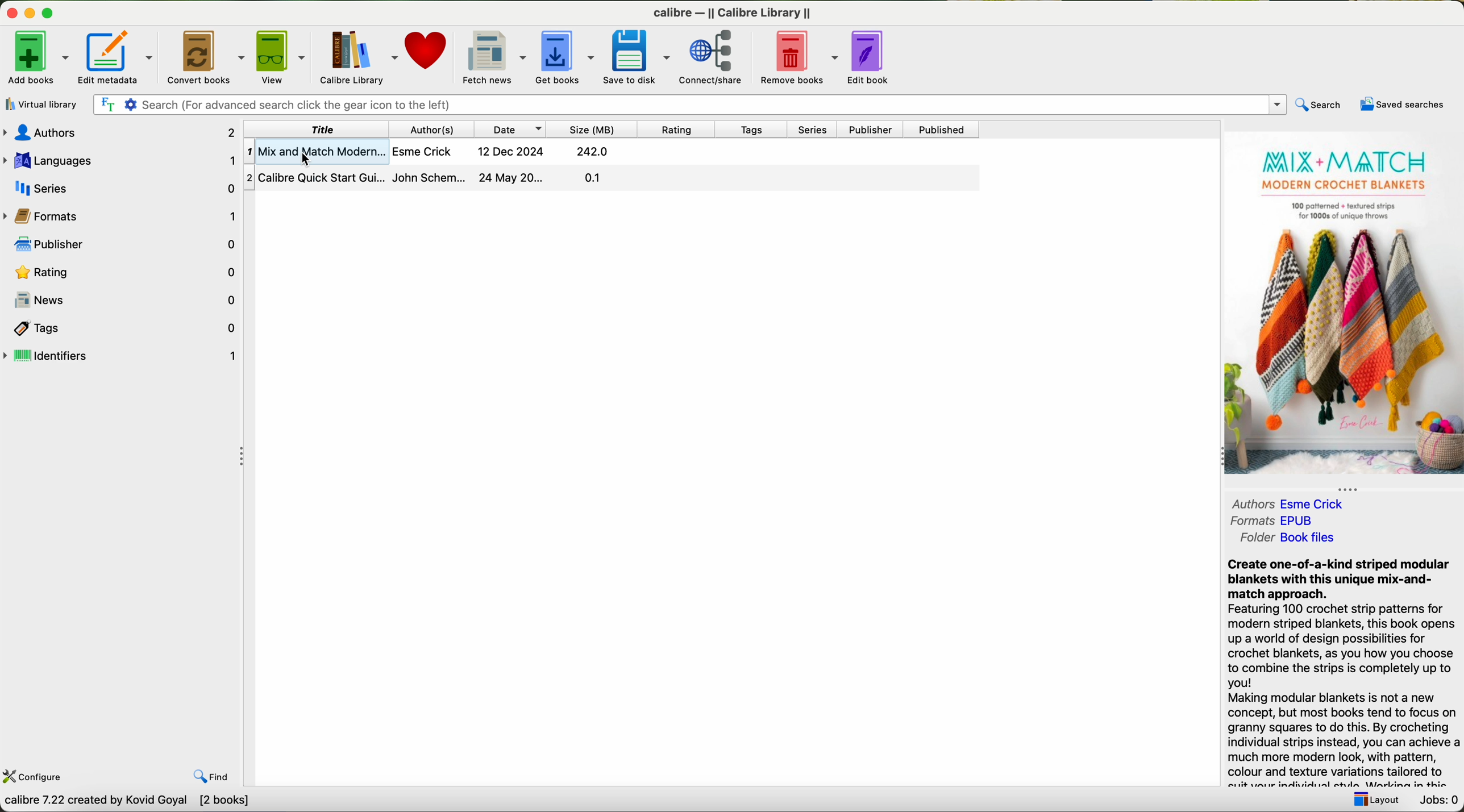 The height and width of the screenshot is (812, 1464). I want to click on tags, so click(120, 328).